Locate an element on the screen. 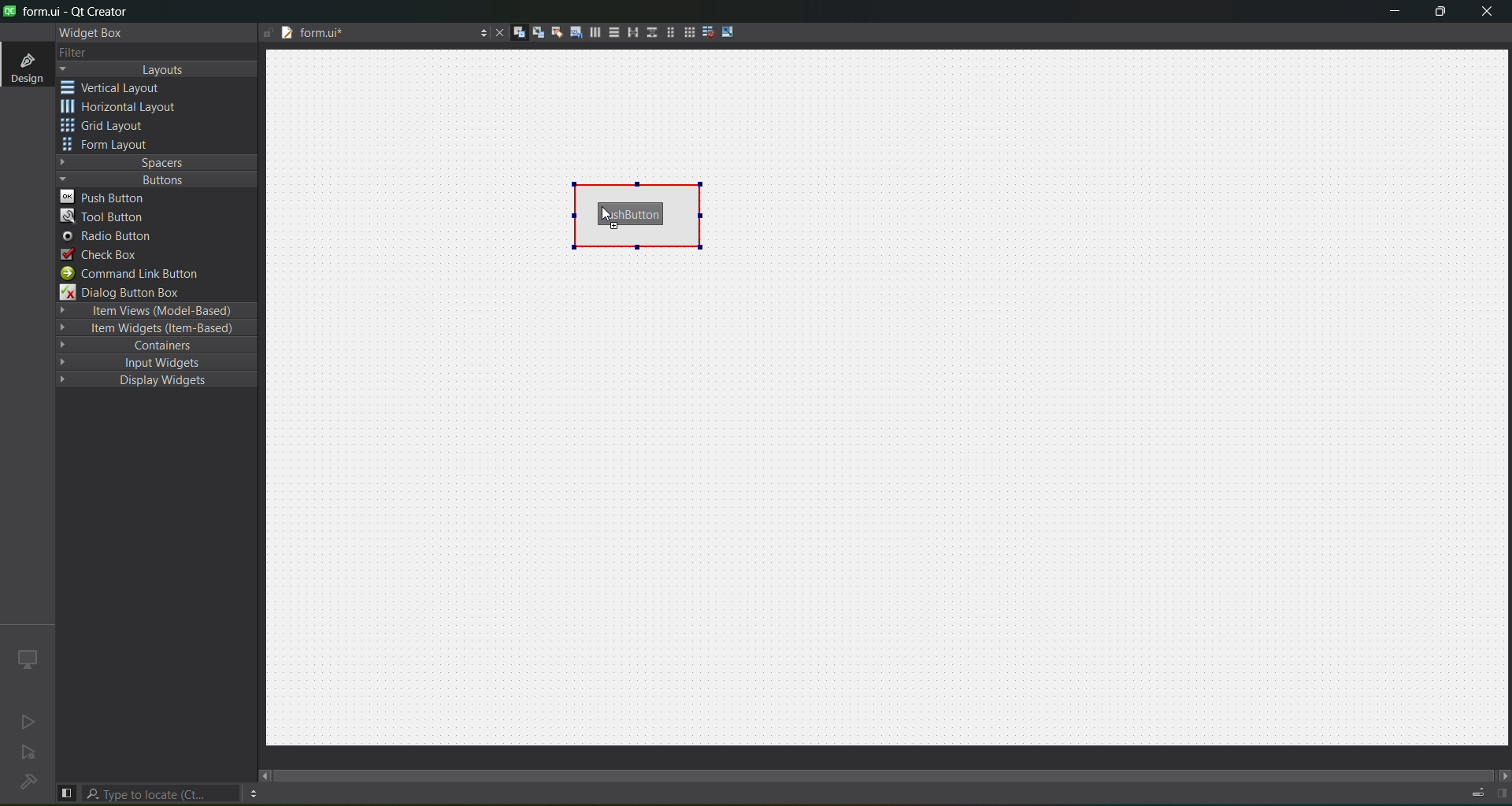 Image resolution: width=1512 pixels, height=806 pixels. layout in a grid is located at coordinates (688, 34).